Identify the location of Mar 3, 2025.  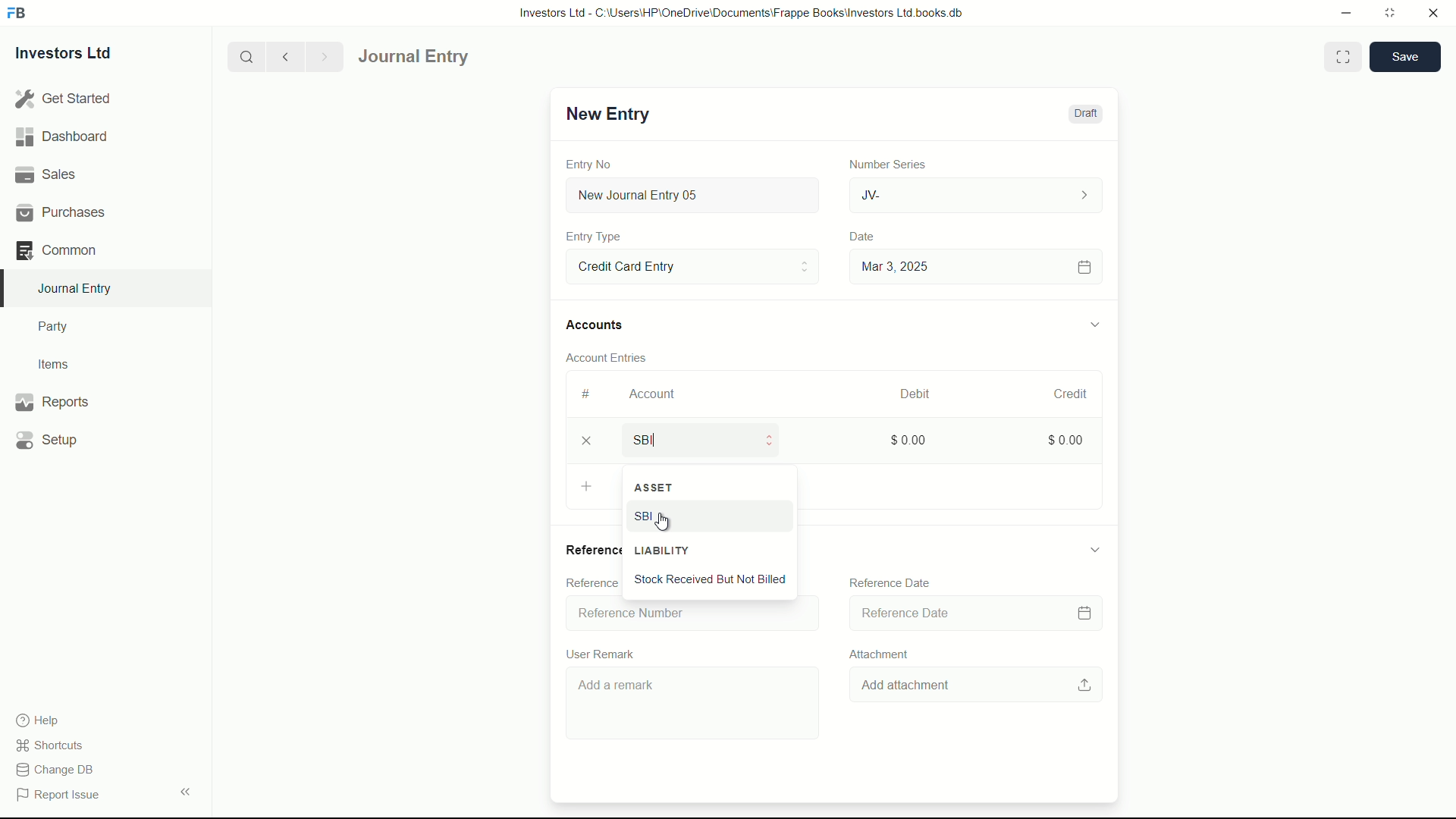
(974, 266).